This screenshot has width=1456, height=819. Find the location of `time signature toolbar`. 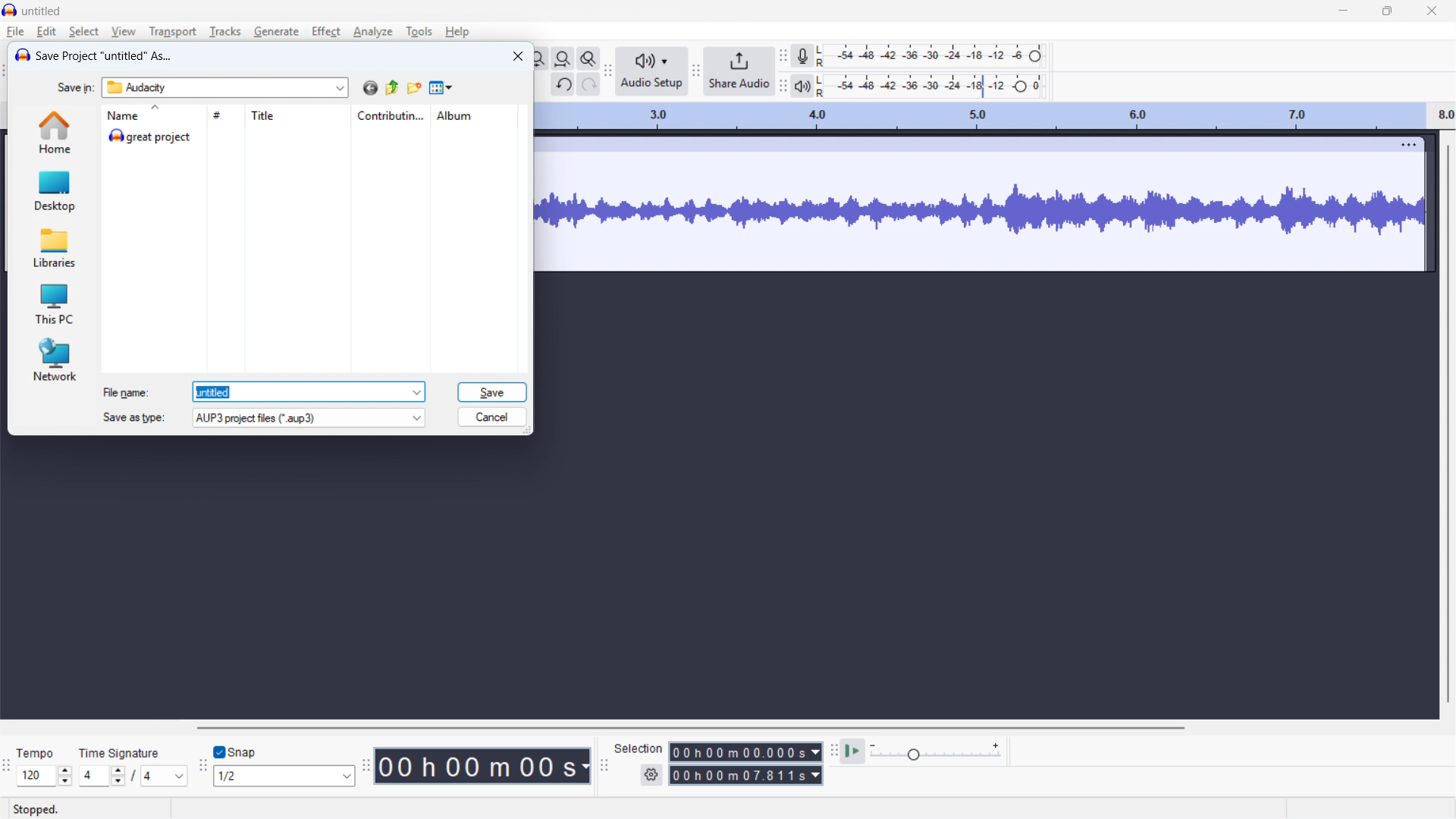

time signature toolbar is located at coordinates (6, 767).